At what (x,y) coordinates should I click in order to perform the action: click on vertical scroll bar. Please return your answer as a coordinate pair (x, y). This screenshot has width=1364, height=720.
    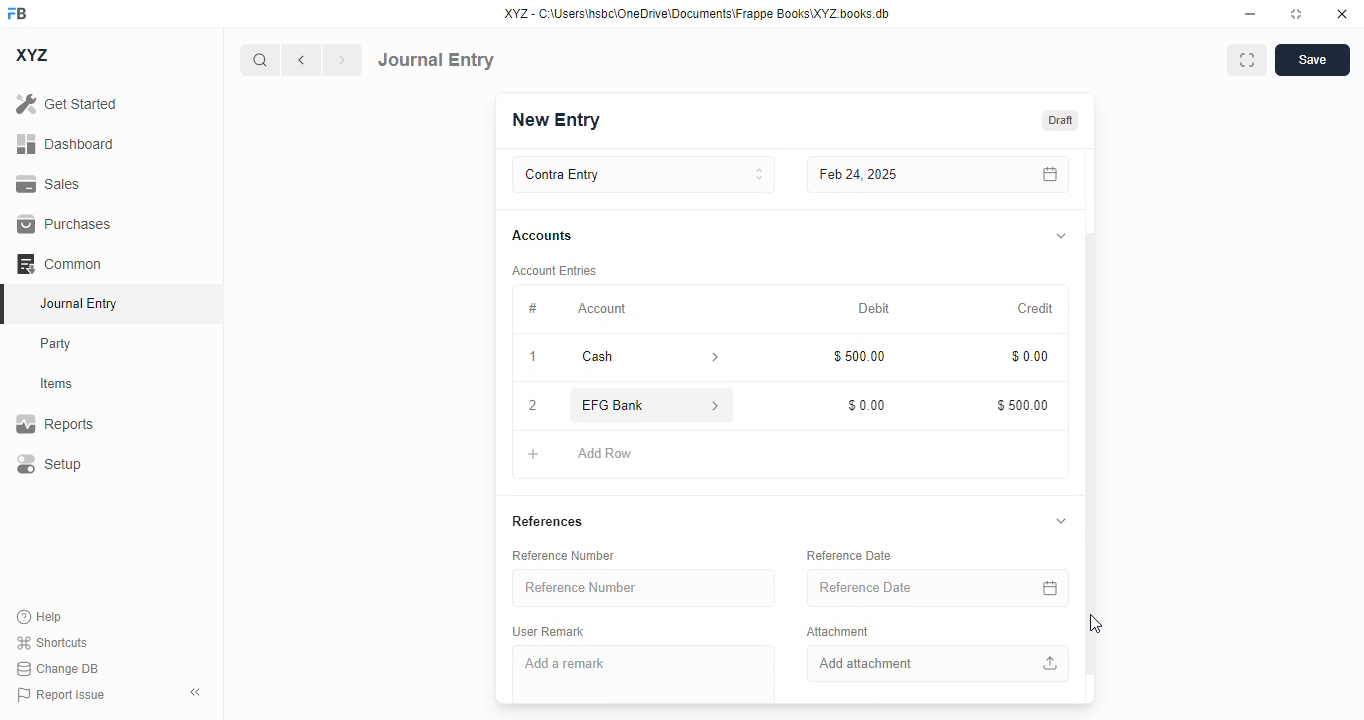
    Looking at the image, I should click on (1090, 426).